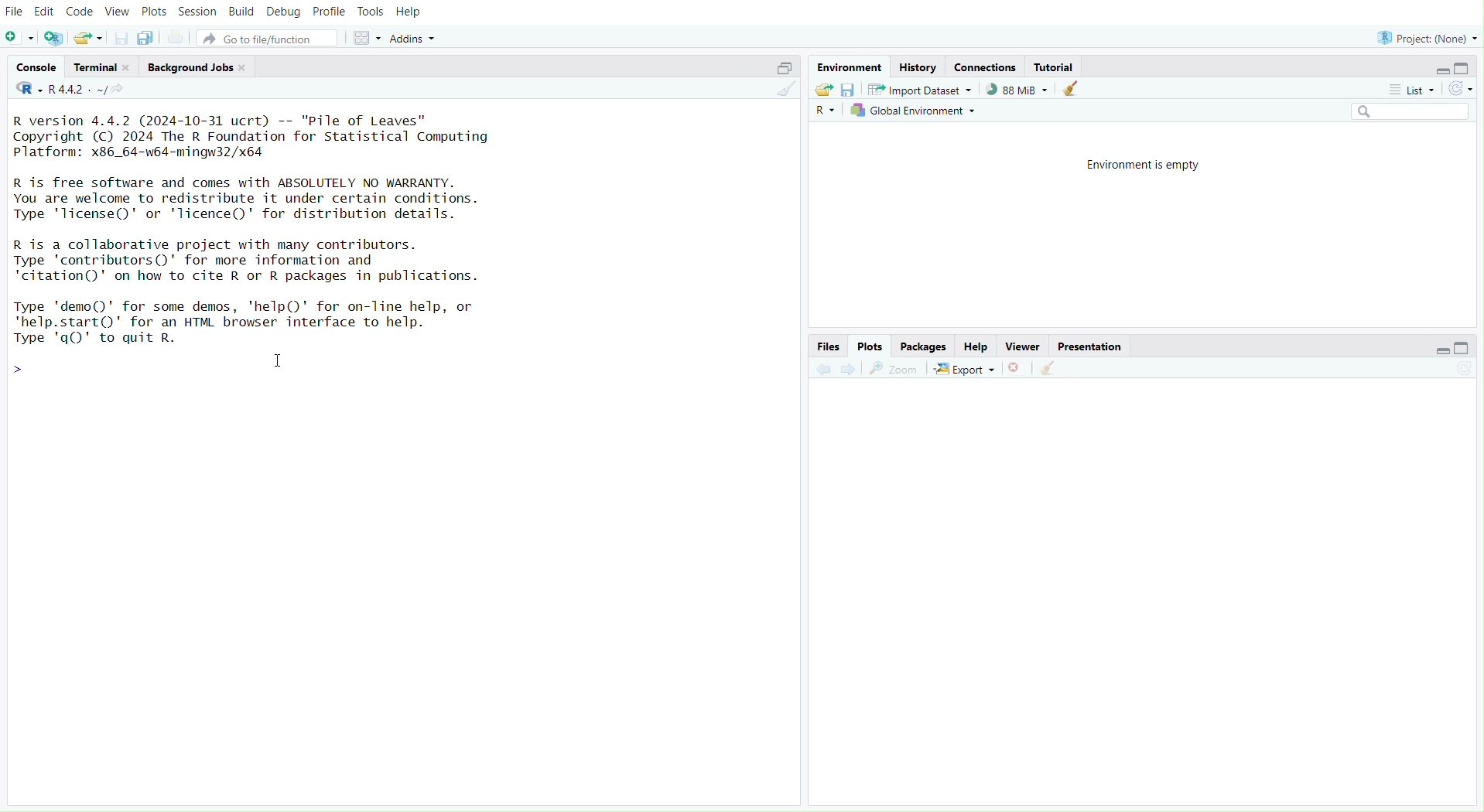 This screenshot has width=1484, height=812. What do you see at coordinates (1149, 165) in the screenshot?
I see `Environment is empty` at bounding box center [1149, 165].